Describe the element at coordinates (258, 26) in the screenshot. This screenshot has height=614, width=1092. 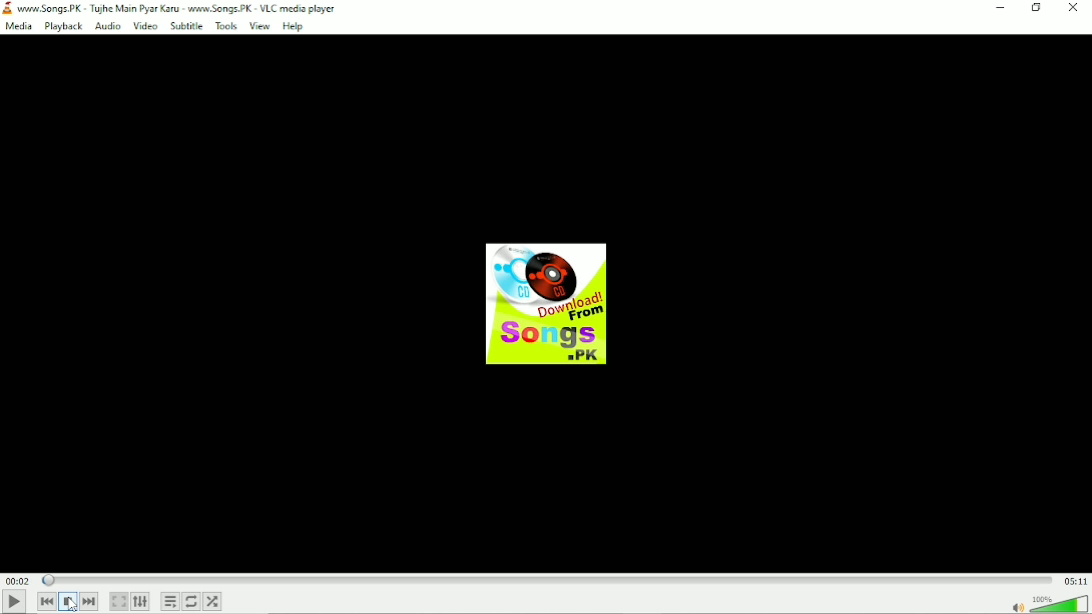
I see `View` at that location.